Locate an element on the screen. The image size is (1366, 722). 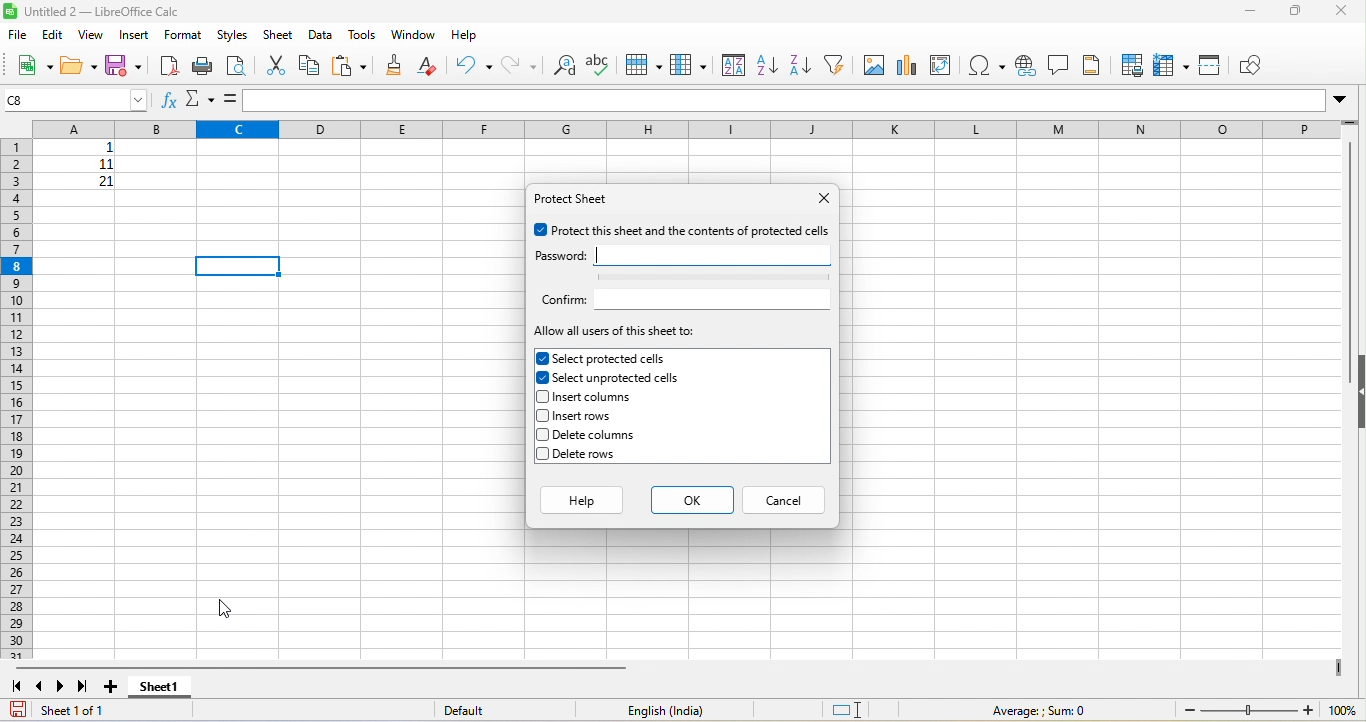
file is located at coordinates (16, 37).